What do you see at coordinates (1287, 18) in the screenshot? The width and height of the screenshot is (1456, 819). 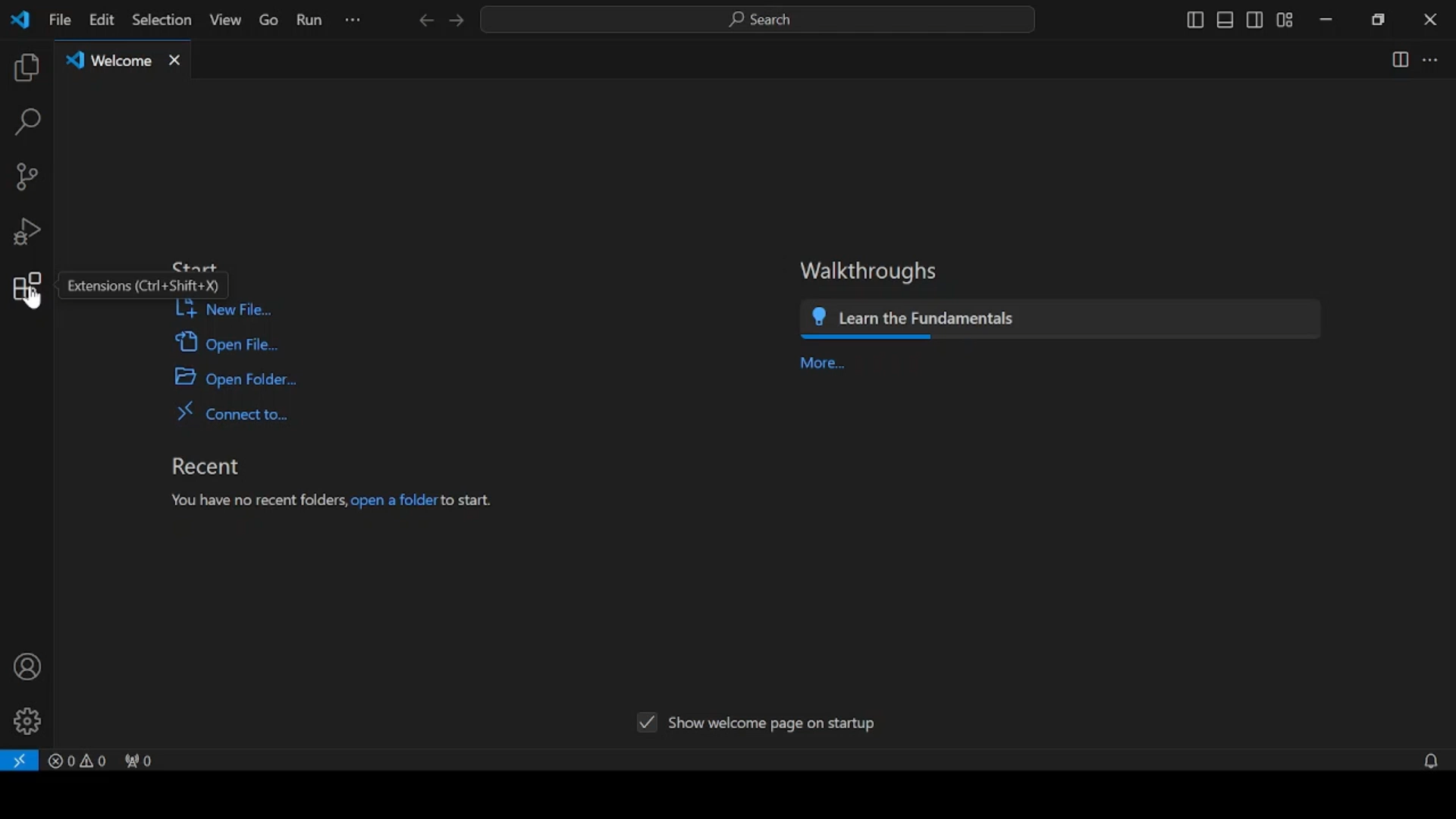 I see `customize layout` at bounding box center [1287, 18].